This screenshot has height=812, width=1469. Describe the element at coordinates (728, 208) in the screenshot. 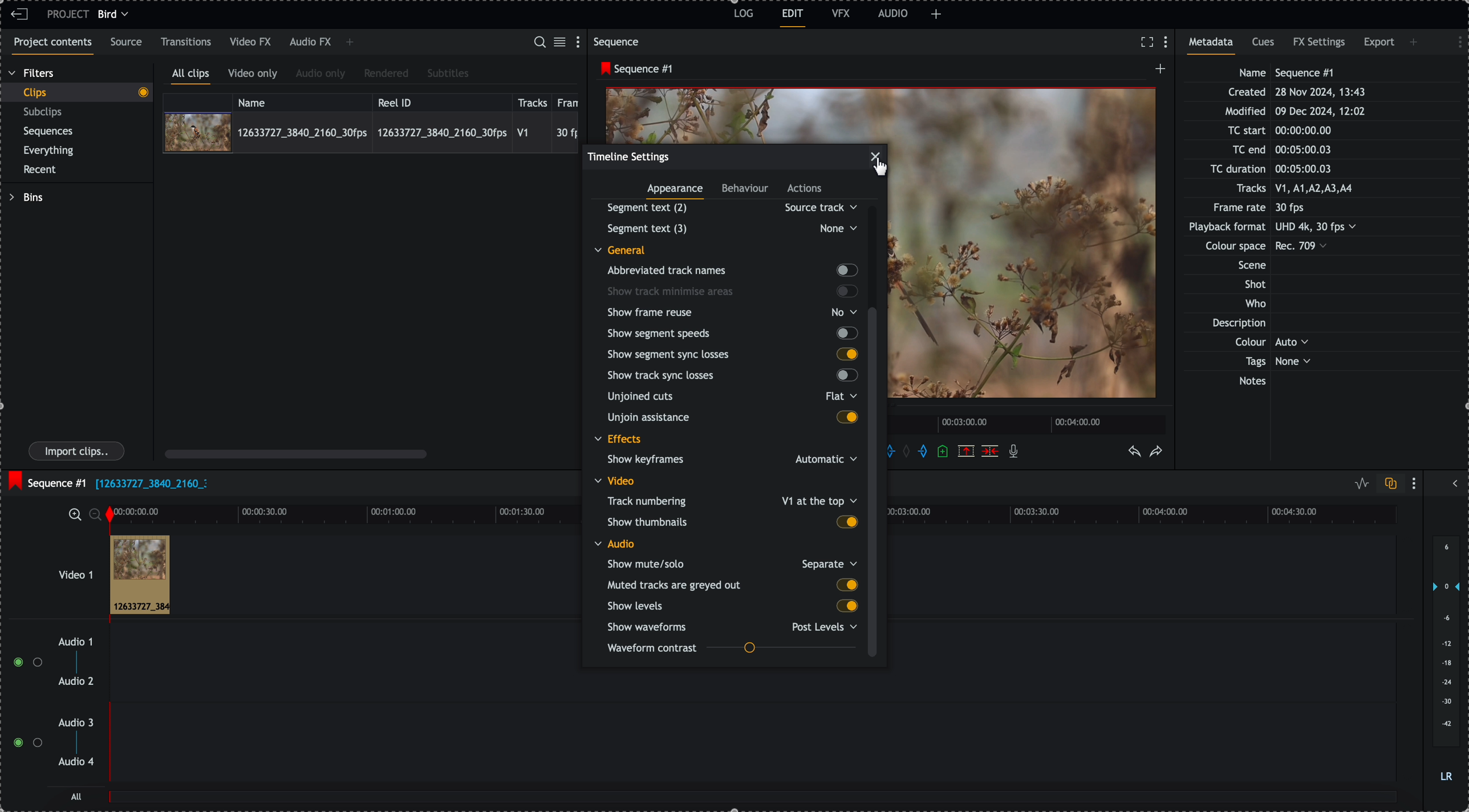

I see `segment text (2)` at that location.